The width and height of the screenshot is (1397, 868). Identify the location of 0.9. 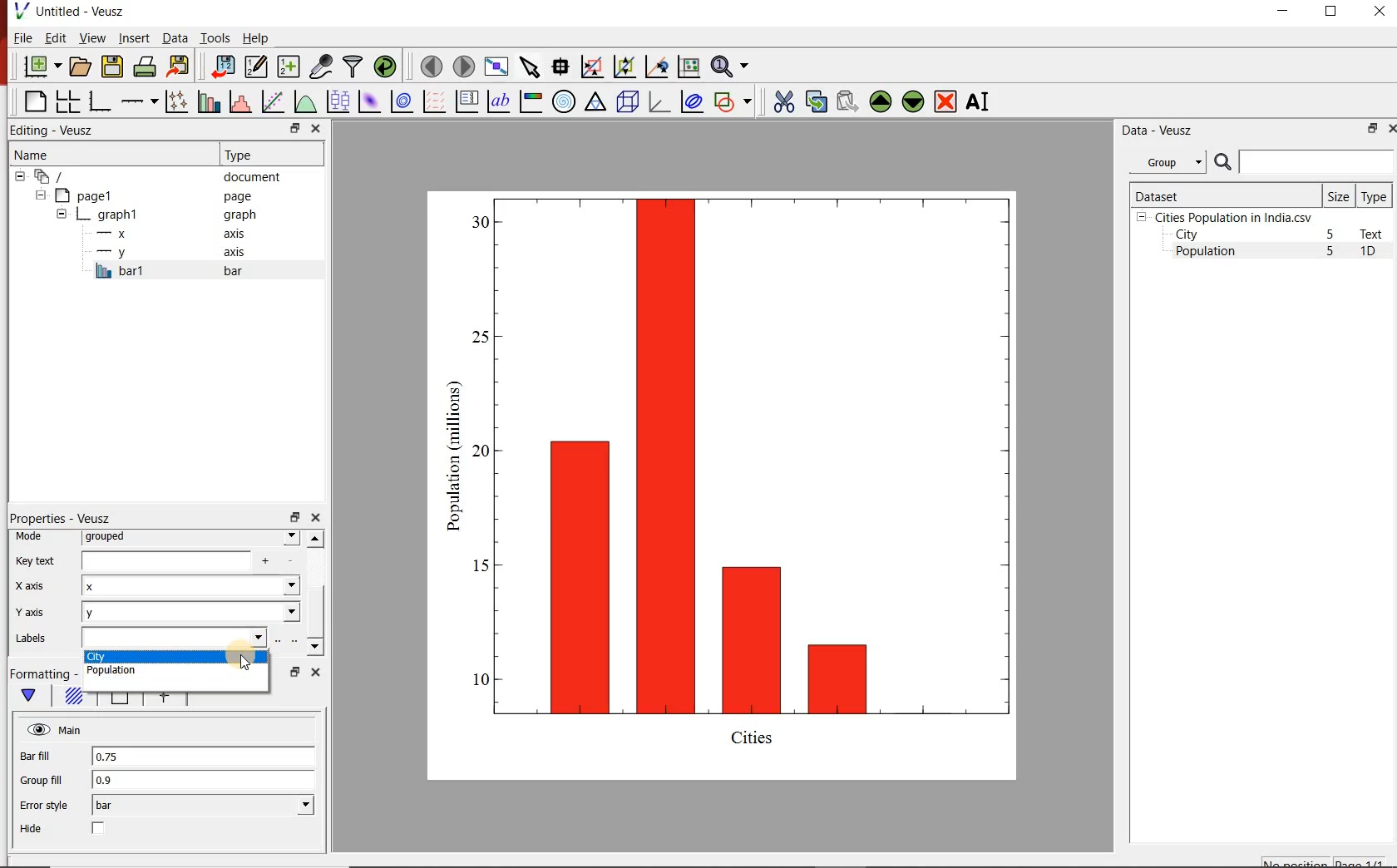
(204, 781).